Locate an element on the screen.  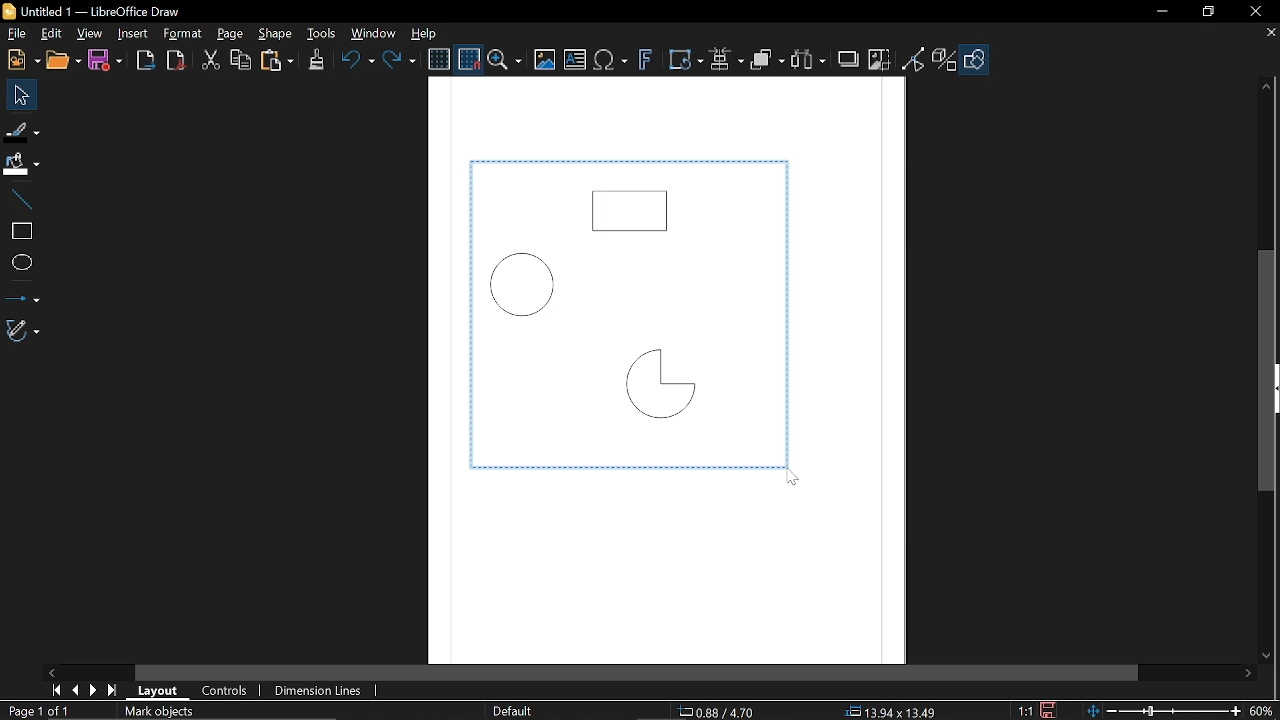
Open is located at coordinates (63, 60).